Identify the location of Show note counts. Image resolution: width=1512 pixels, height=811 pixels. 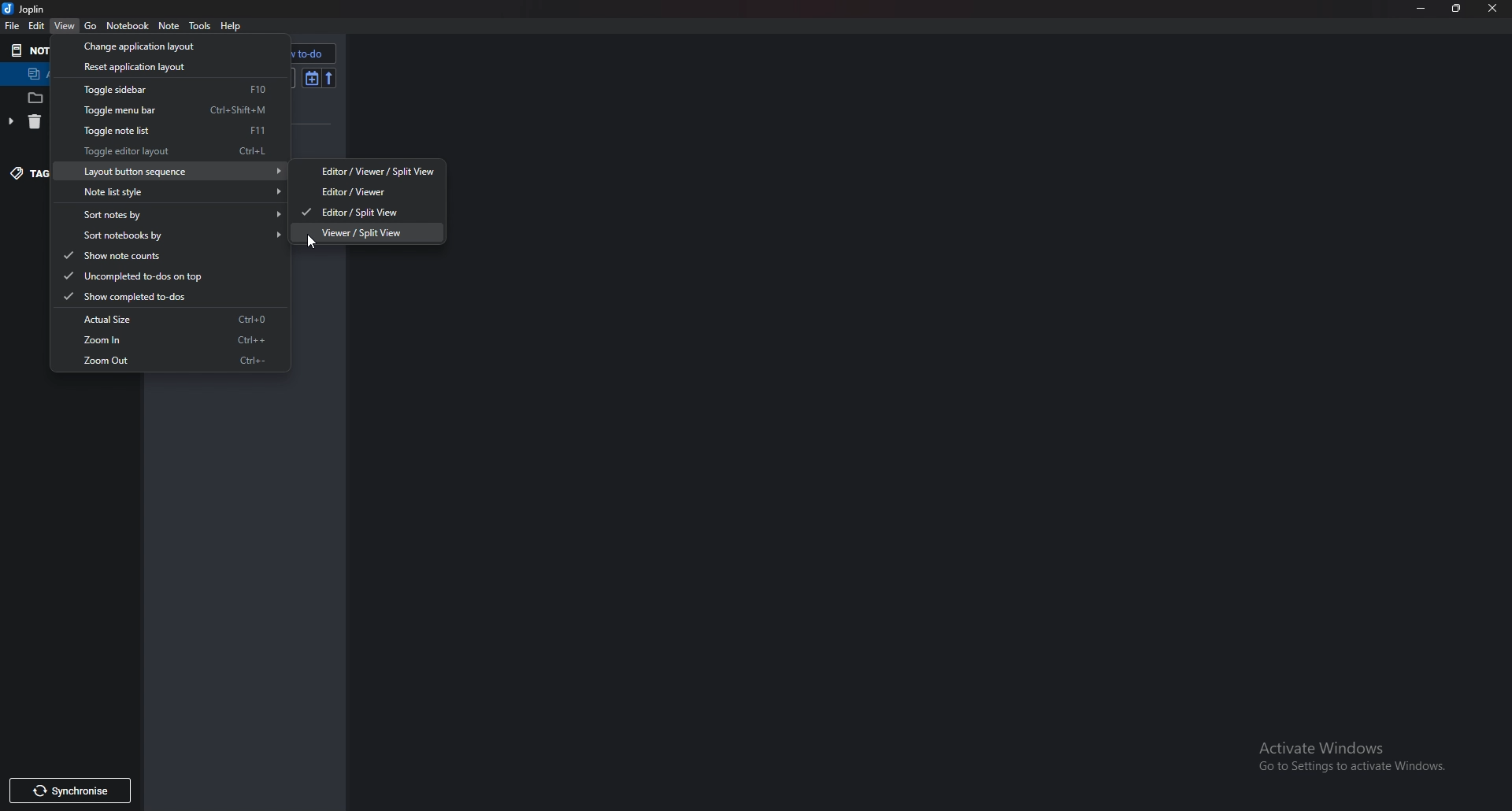
(159, 255).